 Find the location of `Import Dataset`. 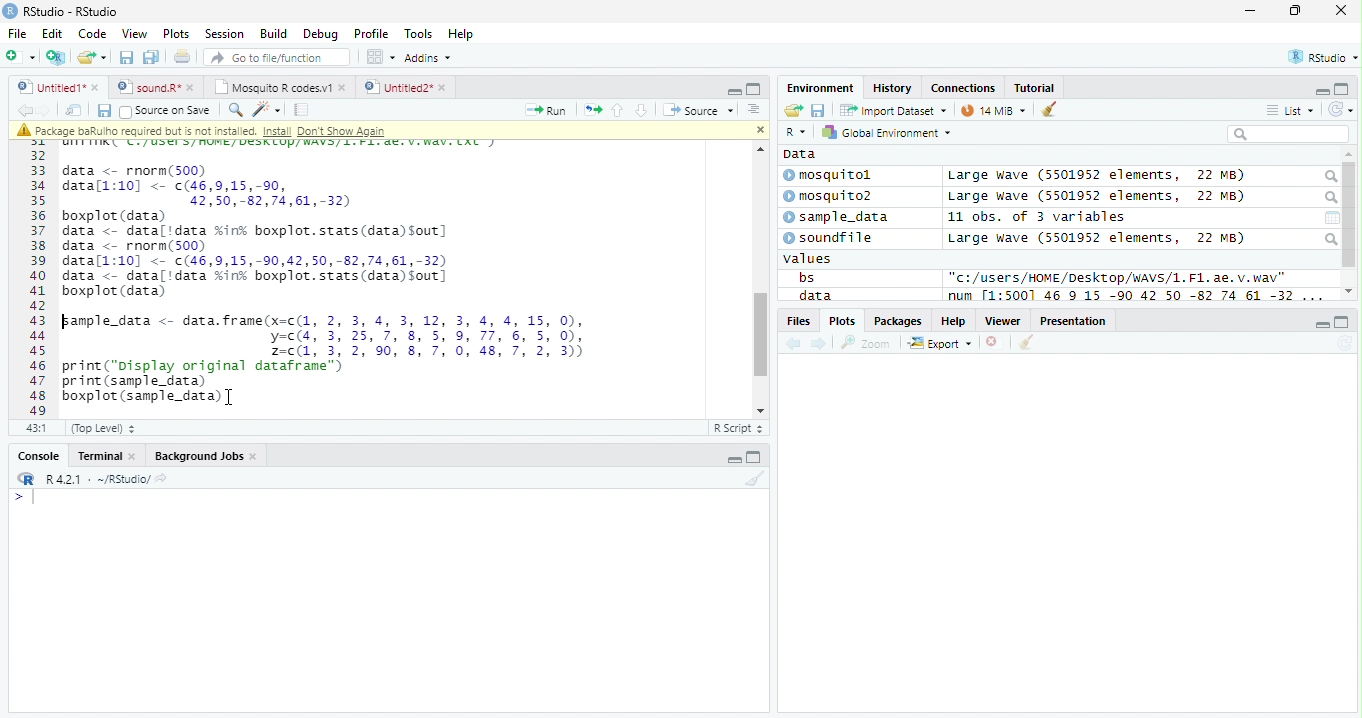

Import Dataset is located at coordinates (893, 111).